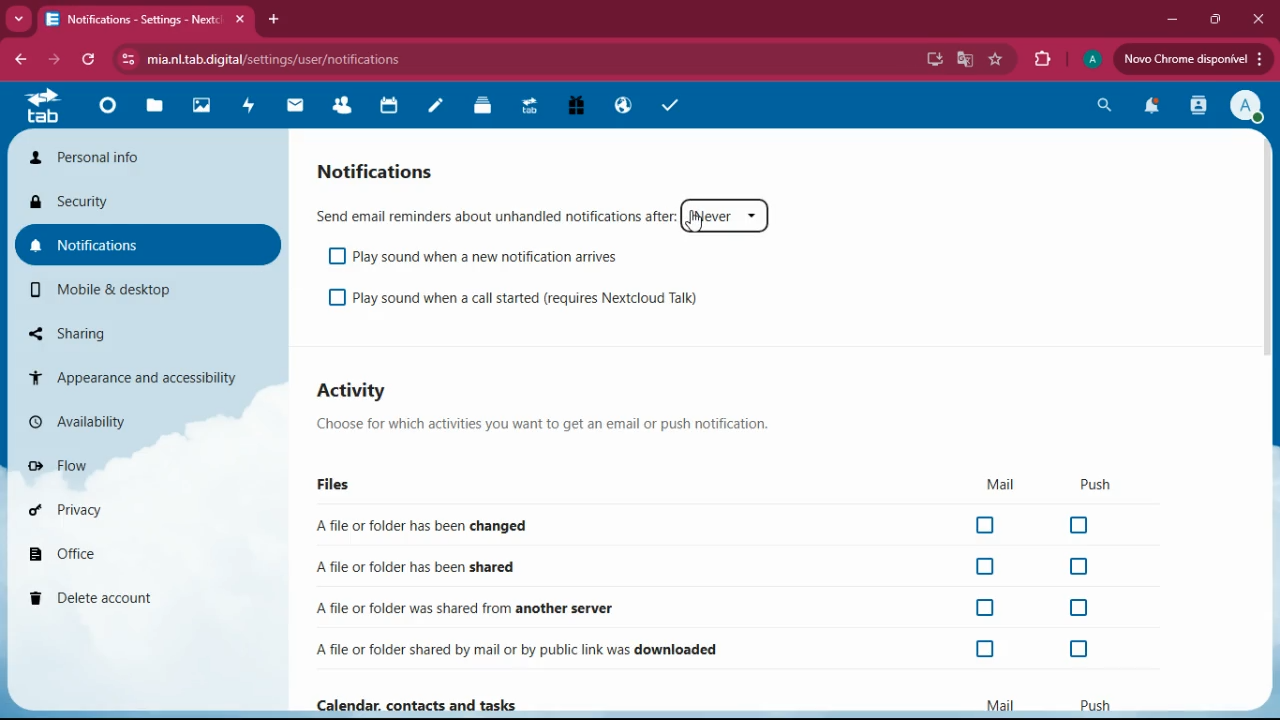  Describe the element at coordinates (421, 569) in the screenshot. I see `shared` at that location.